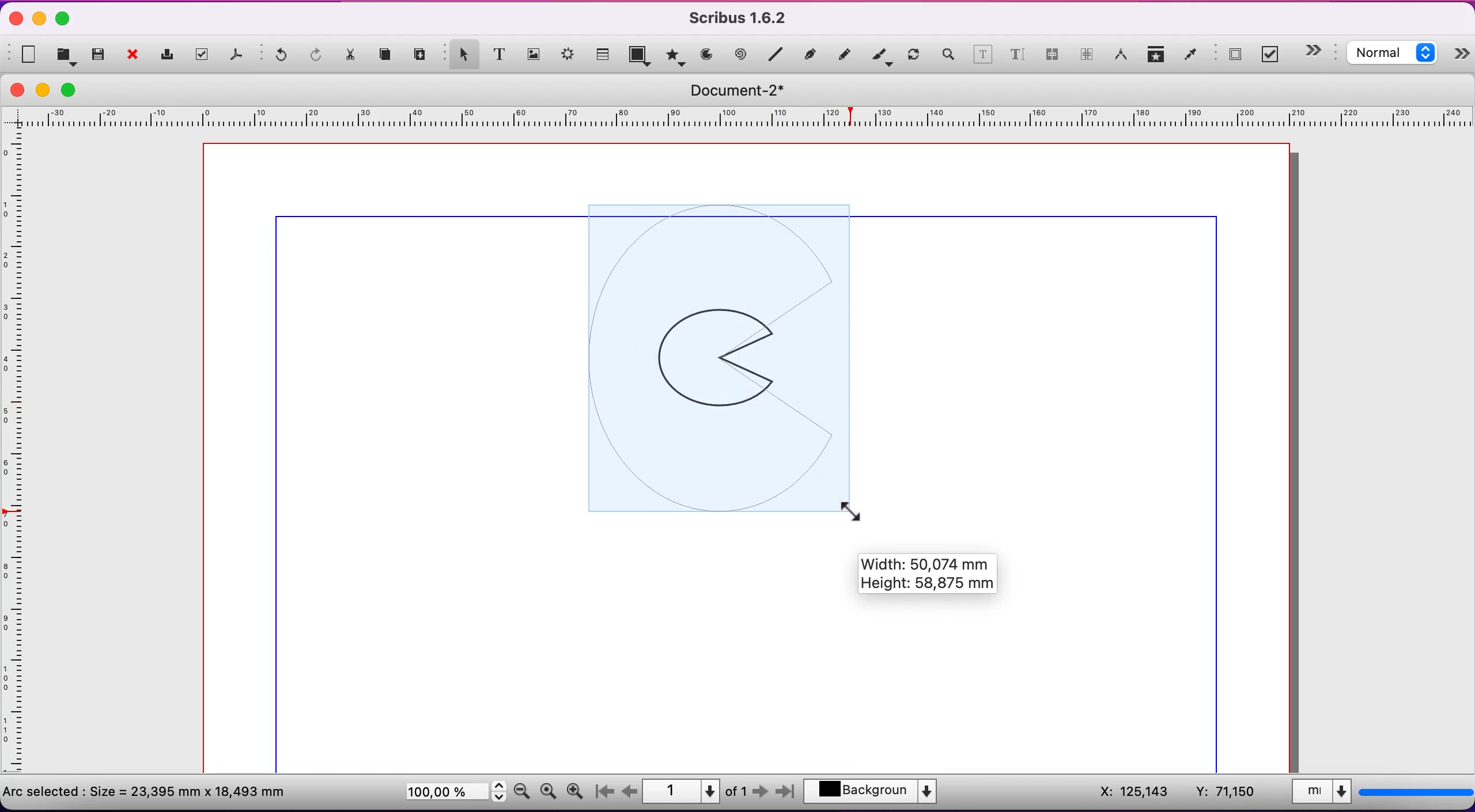 This screenshot has height=812, width=1475. I want to click on vertical measures, so click(17, 457).